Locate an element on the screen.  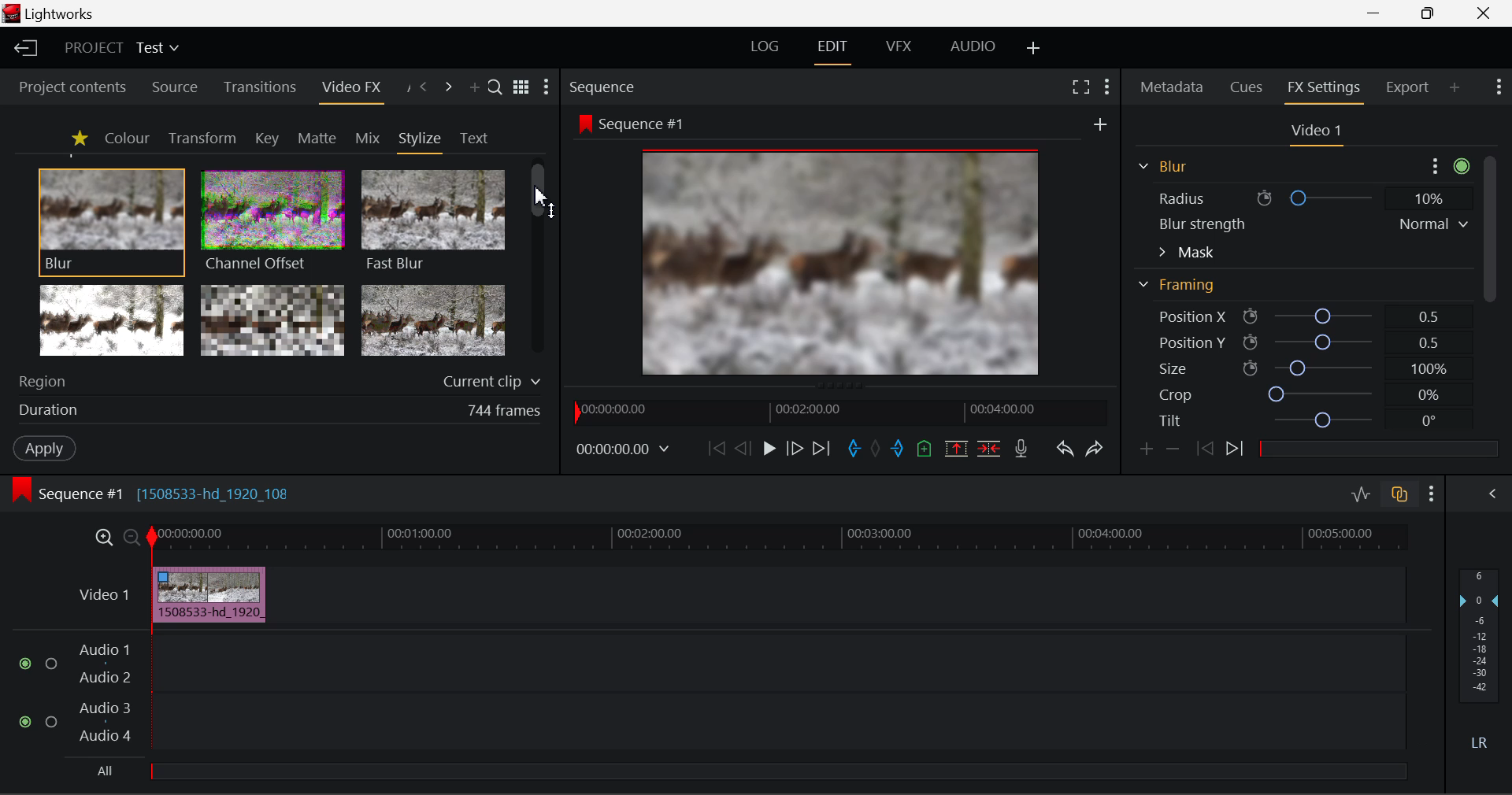
Undo is located at coordinates (1063, 446).